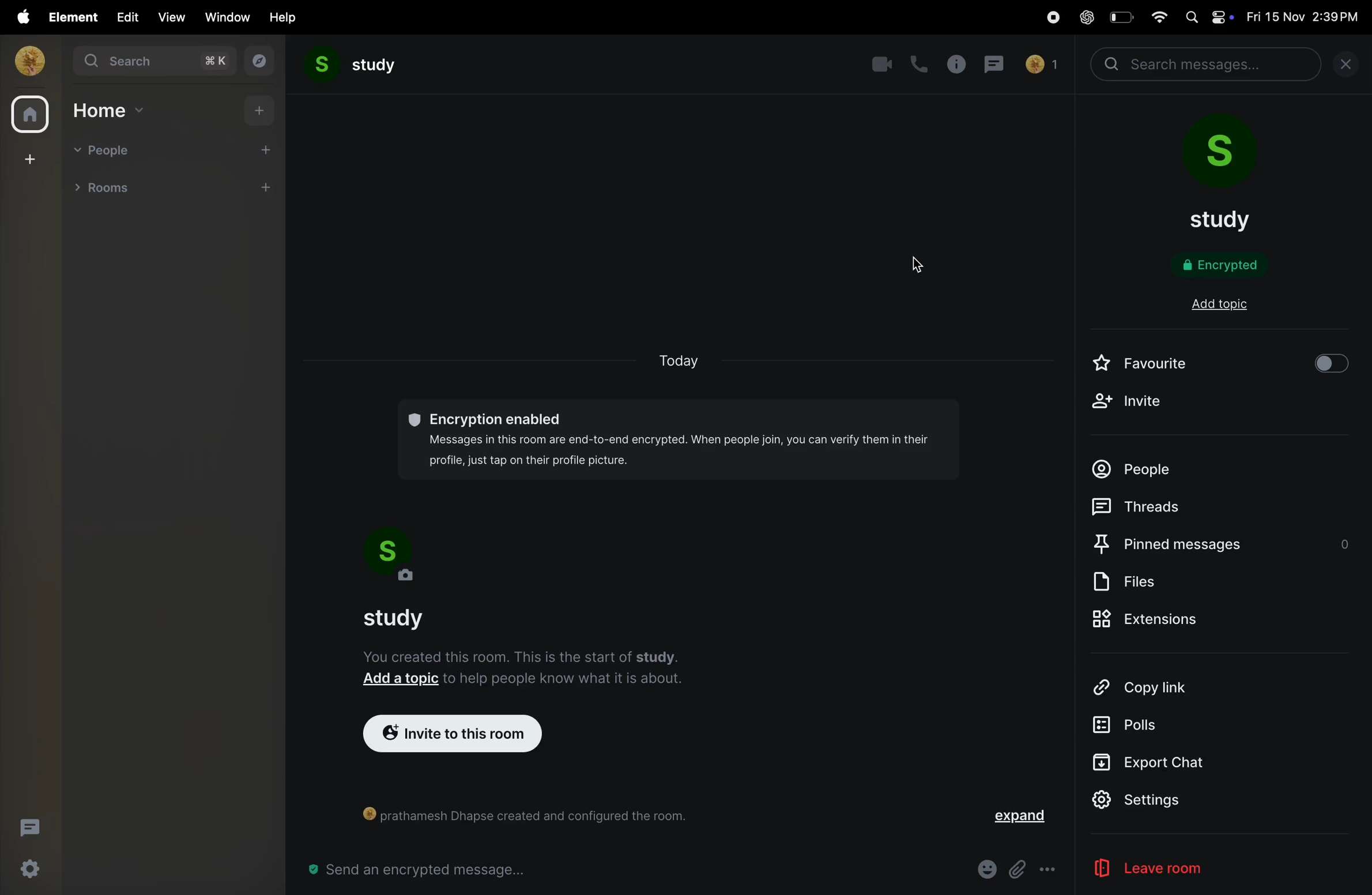  What do you see at coordinates (262, 110) in the screenshot?
I see `add home` at bounding box center [262, 110].